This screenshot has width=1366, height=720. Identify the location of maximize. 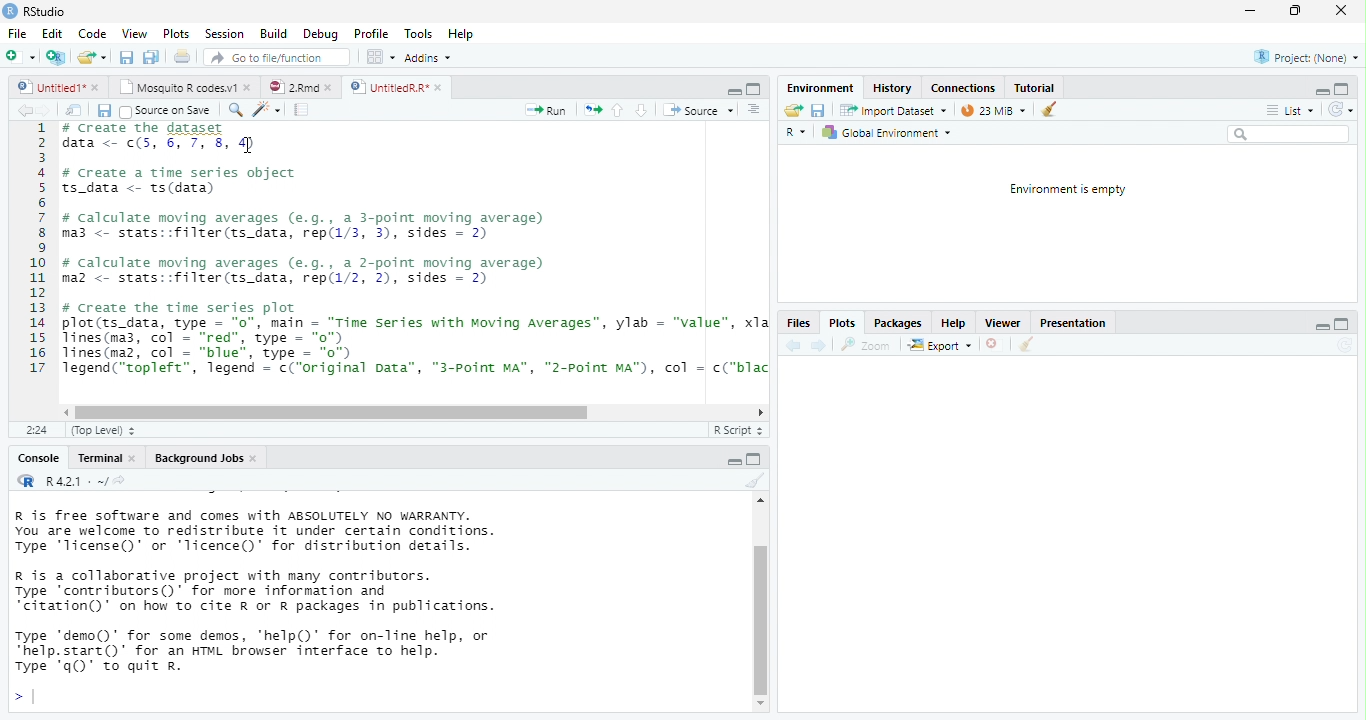
(1340, 325).